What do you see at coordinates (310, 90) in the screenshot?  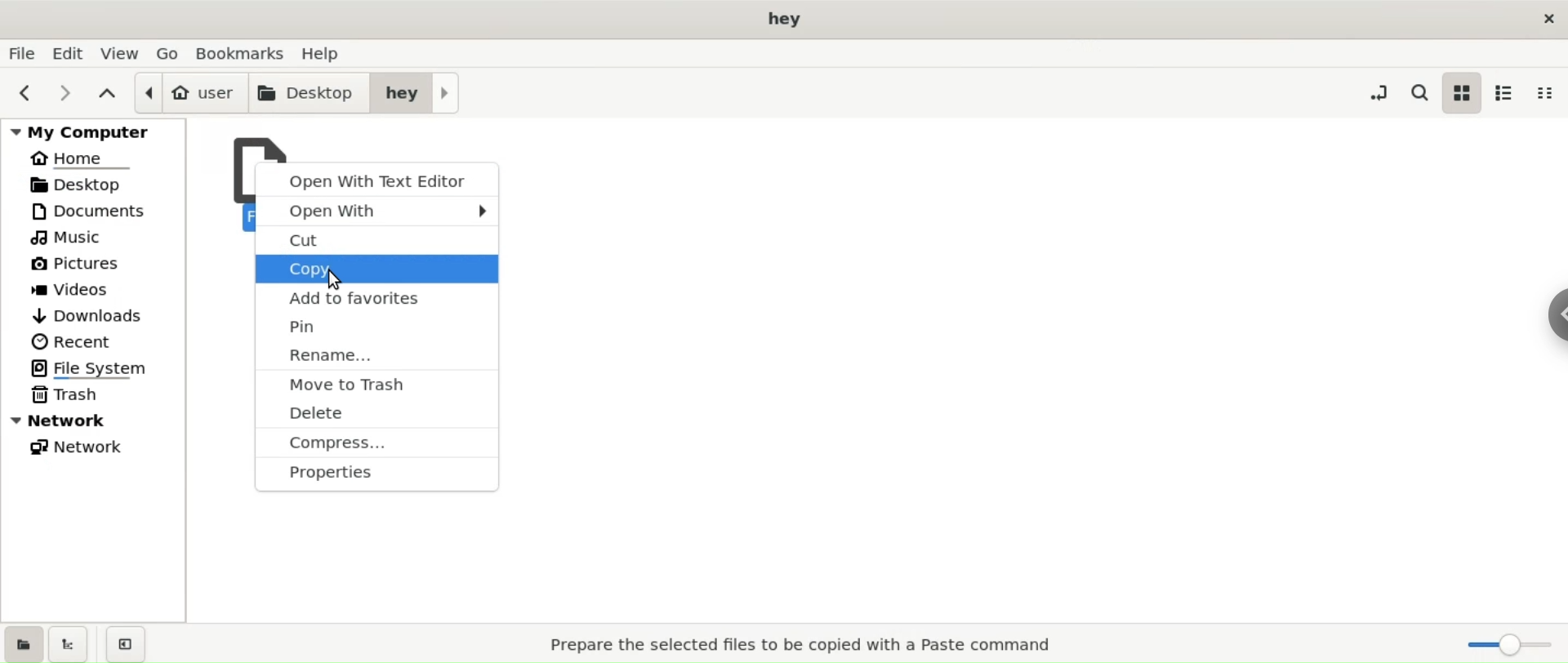 I see `desktop` at bounding box center [310, 90].